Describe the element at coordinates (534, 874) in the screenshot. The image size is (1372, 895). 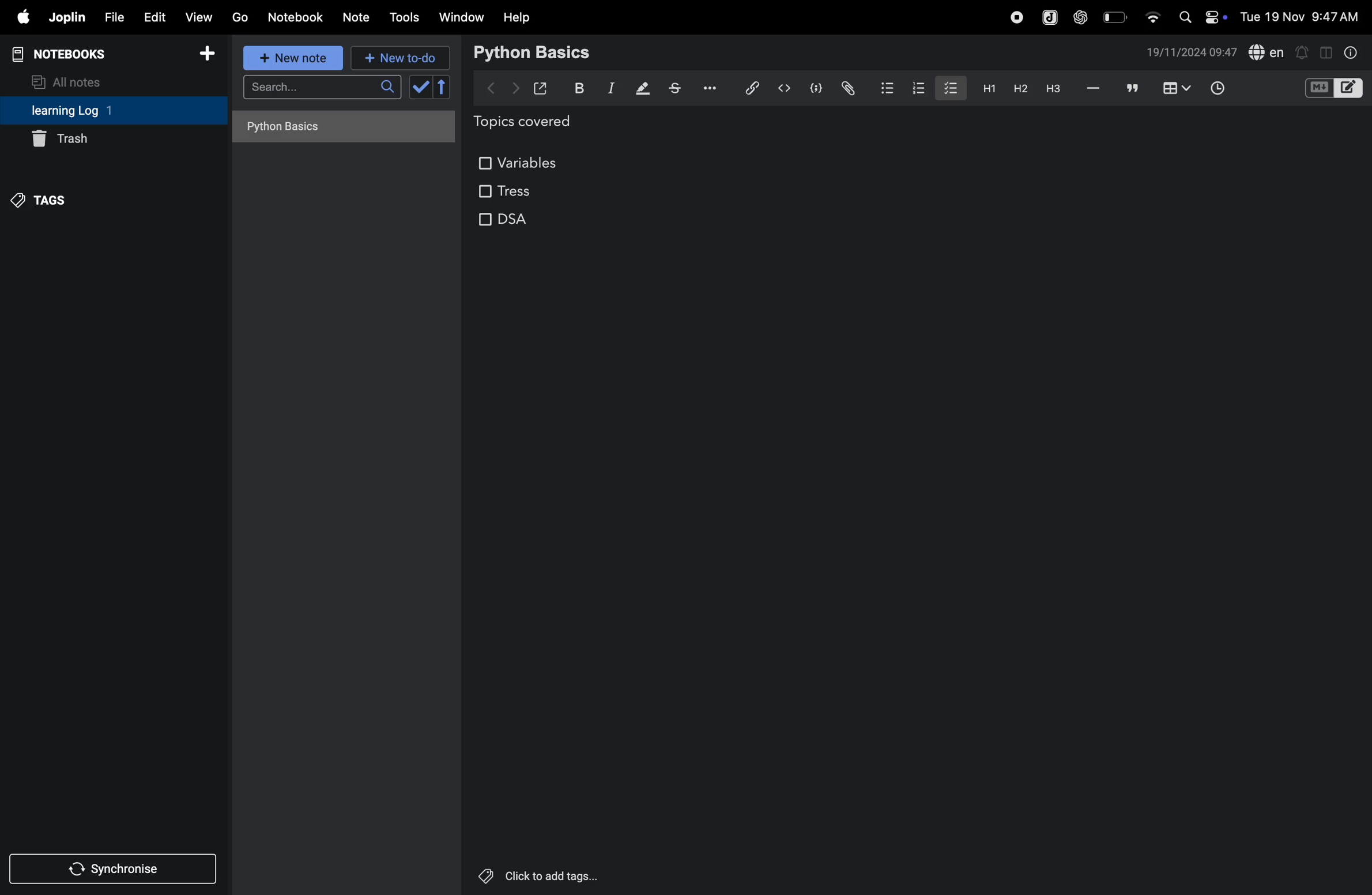
I see `click to add tags` at that location.